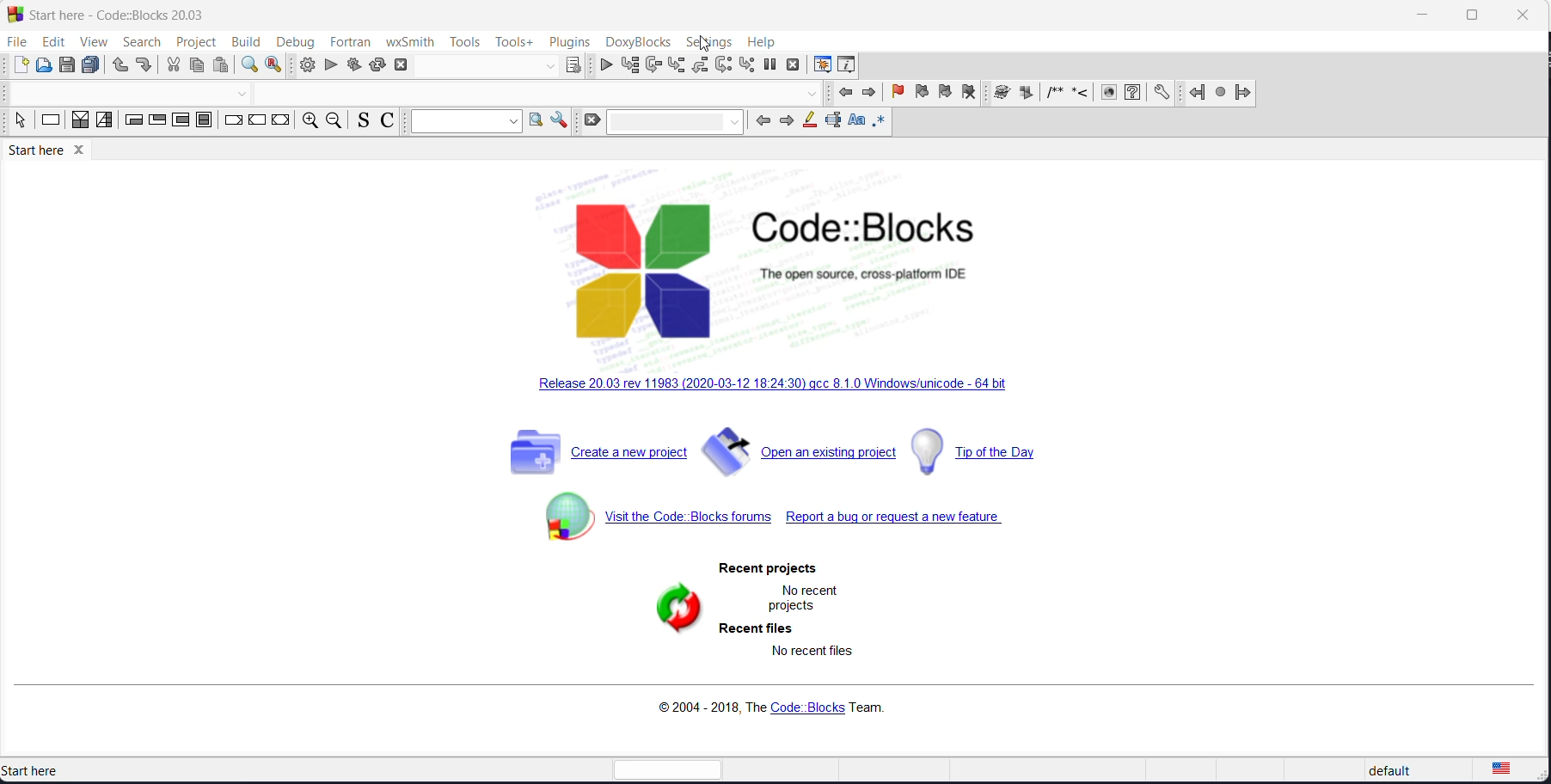  Describe the element at coordinates (359, 123) in the screenshot. I see `source comments` at that location.